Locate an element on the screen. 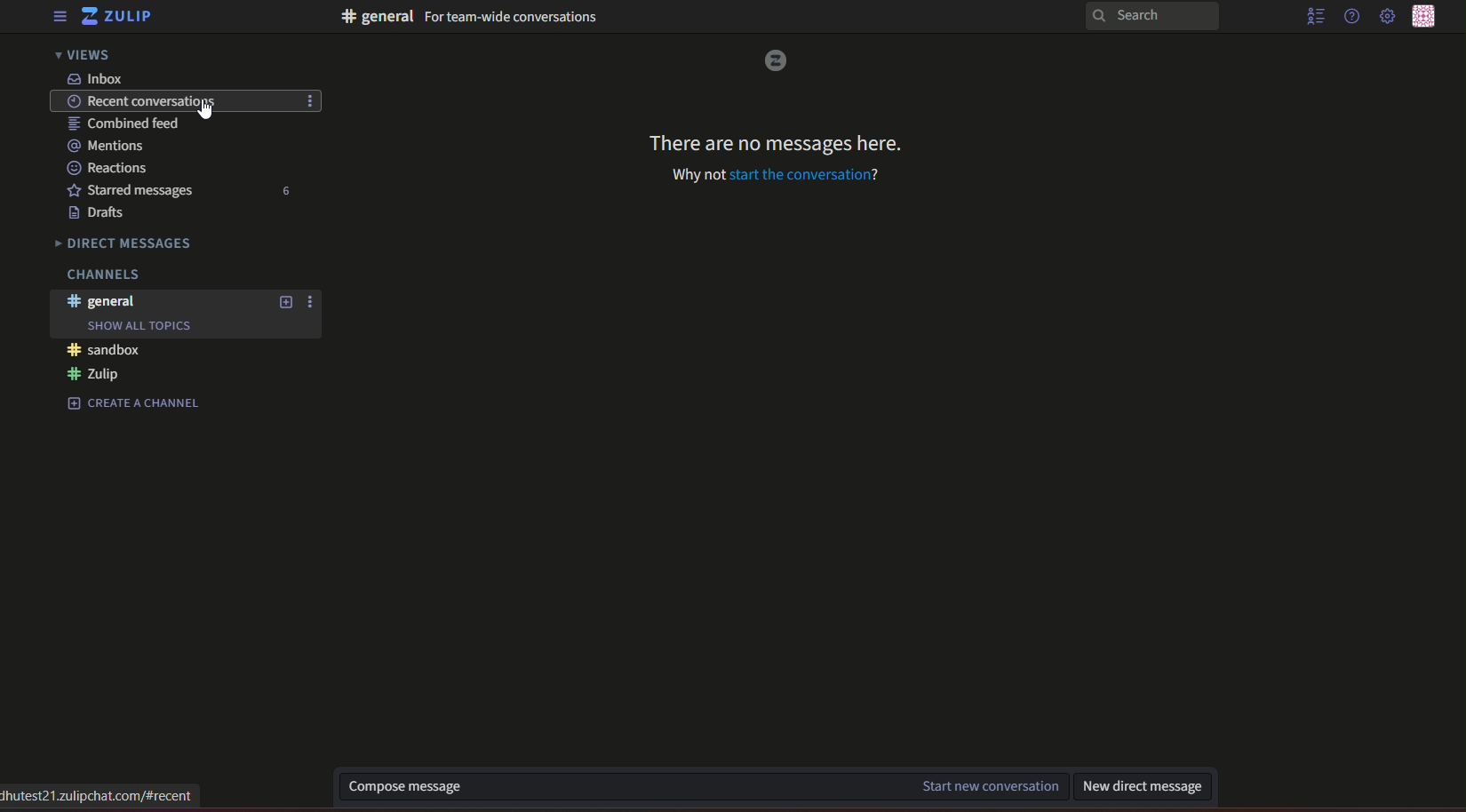 This screenshot has height=812, width=1466. new direct message is located at coordinates (1143, 783).